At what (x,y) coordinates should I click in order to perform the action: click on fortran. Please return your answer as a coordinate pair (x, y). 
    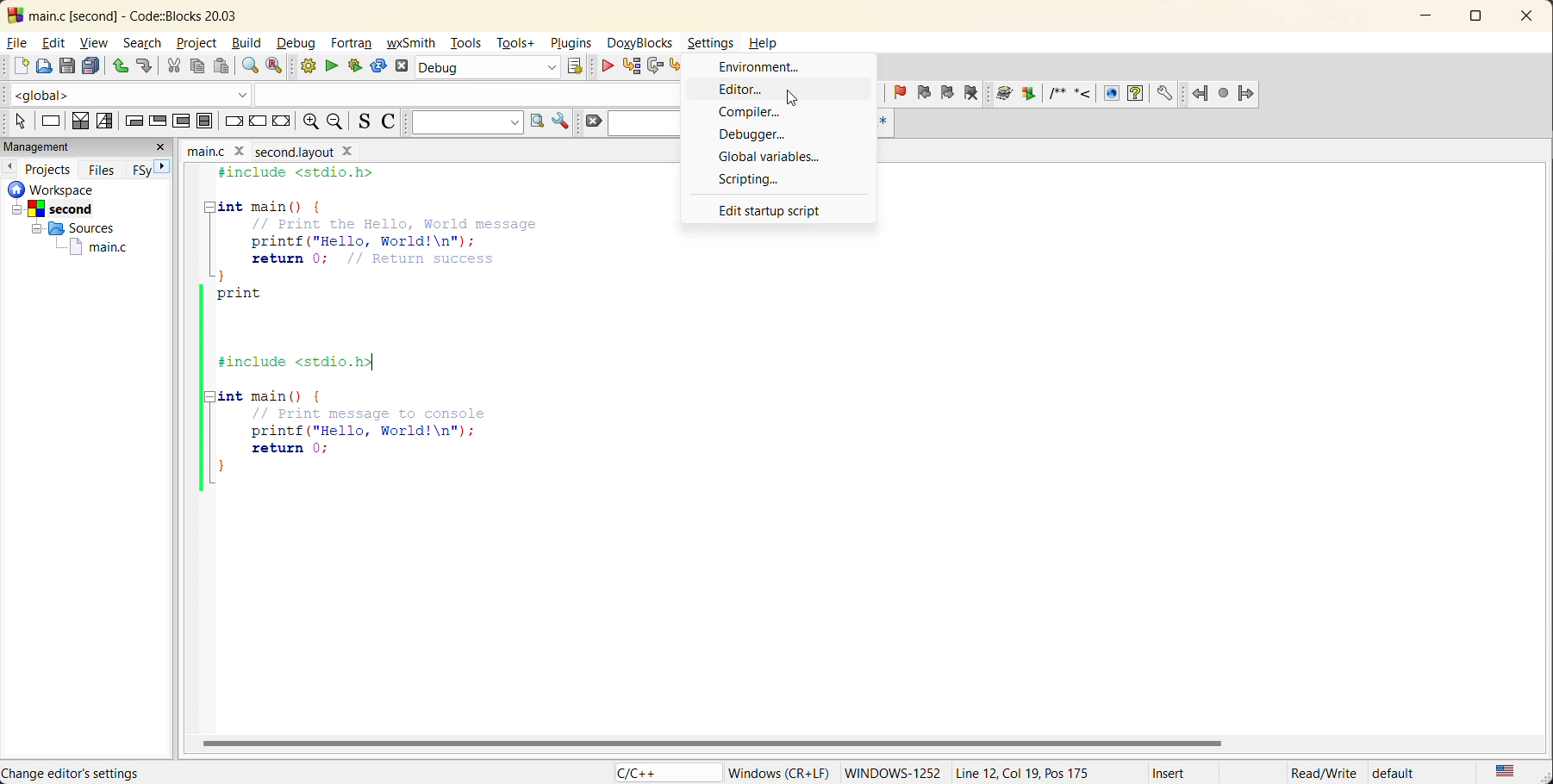
    Looking at the image, I should click on (354, 44).